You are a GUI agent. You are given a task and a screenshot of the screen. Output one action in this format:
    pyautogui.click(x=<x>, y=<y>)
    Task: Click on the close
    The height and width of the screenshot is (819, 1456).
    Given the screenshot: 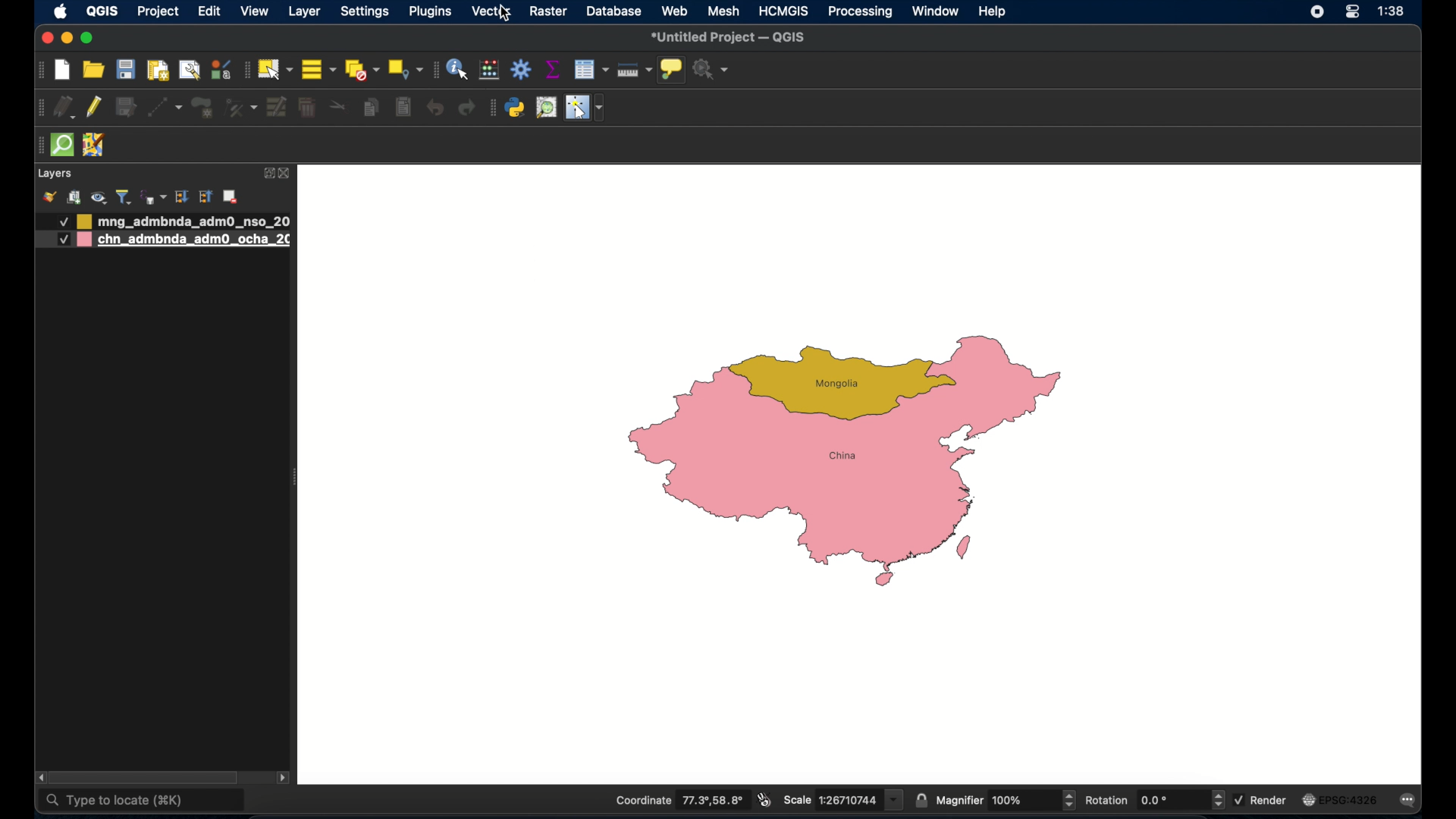 What is the action you would take?
    pyautogui.click(x=288, y=174)
    